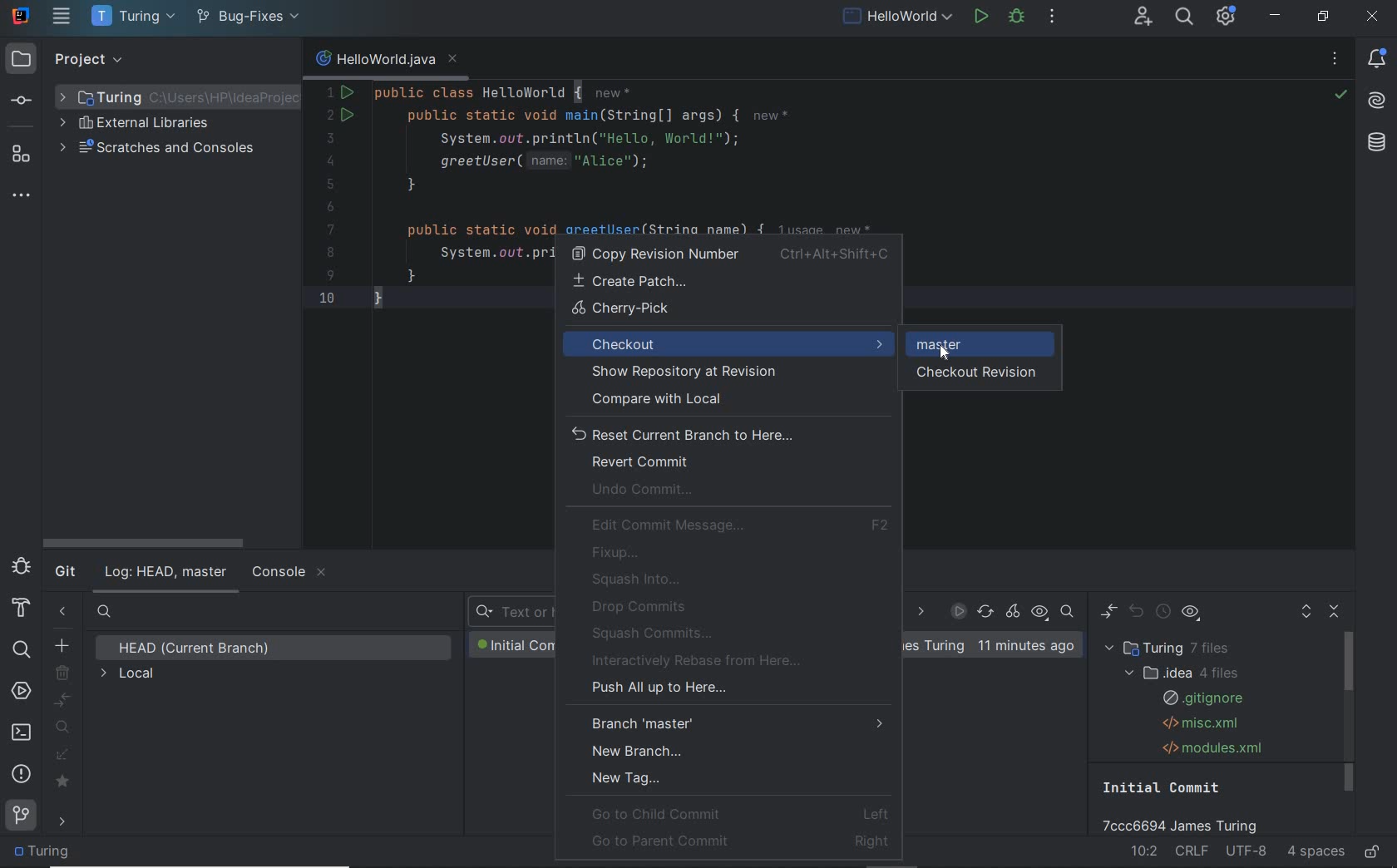  Describe the element at coordinates (728, 433) in the screenshot. I see `rest current branch to here` at that location.